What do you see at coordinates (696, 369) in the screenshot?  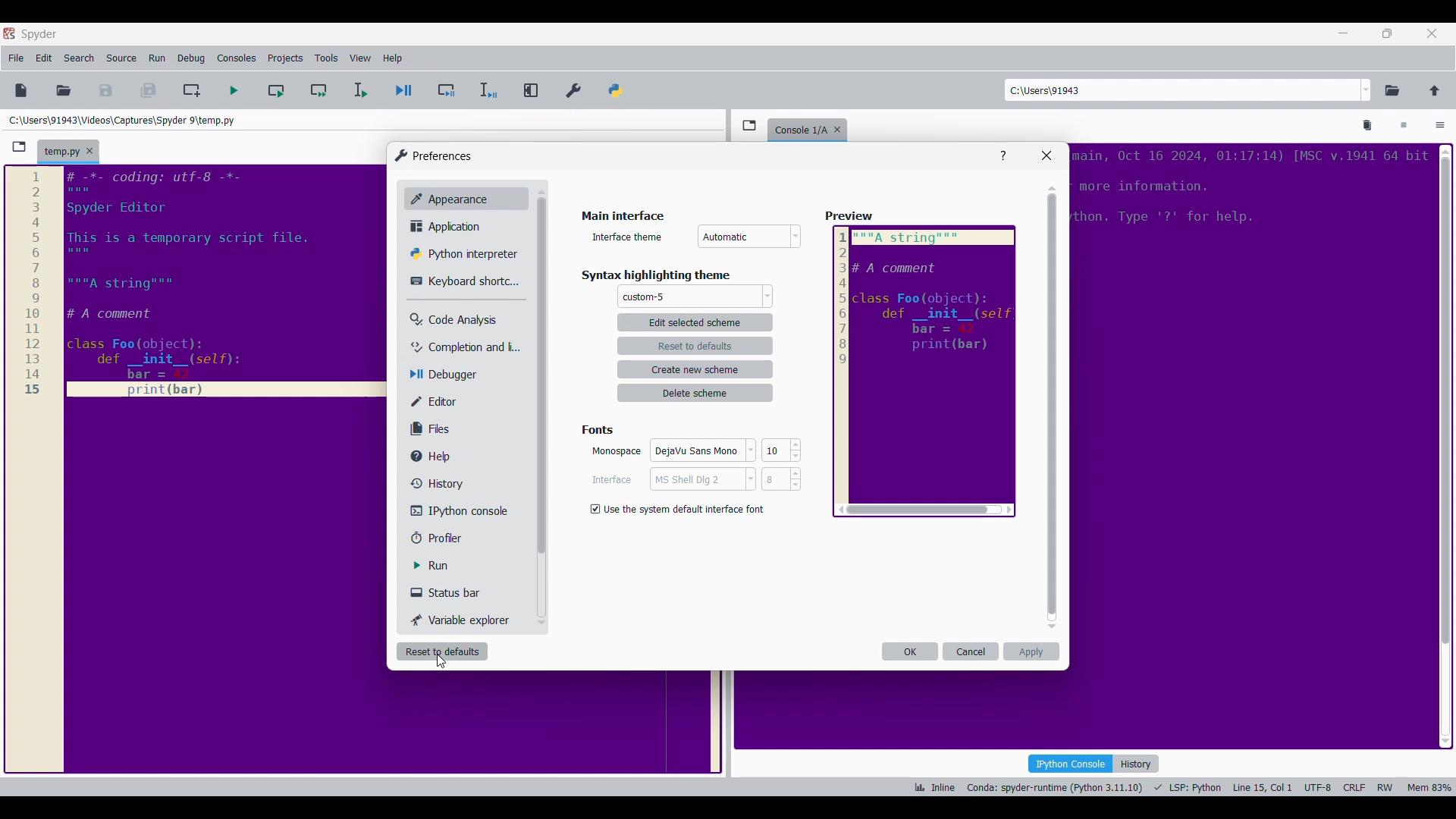 I see `Create new scheme` at bounding box center [696, 369].